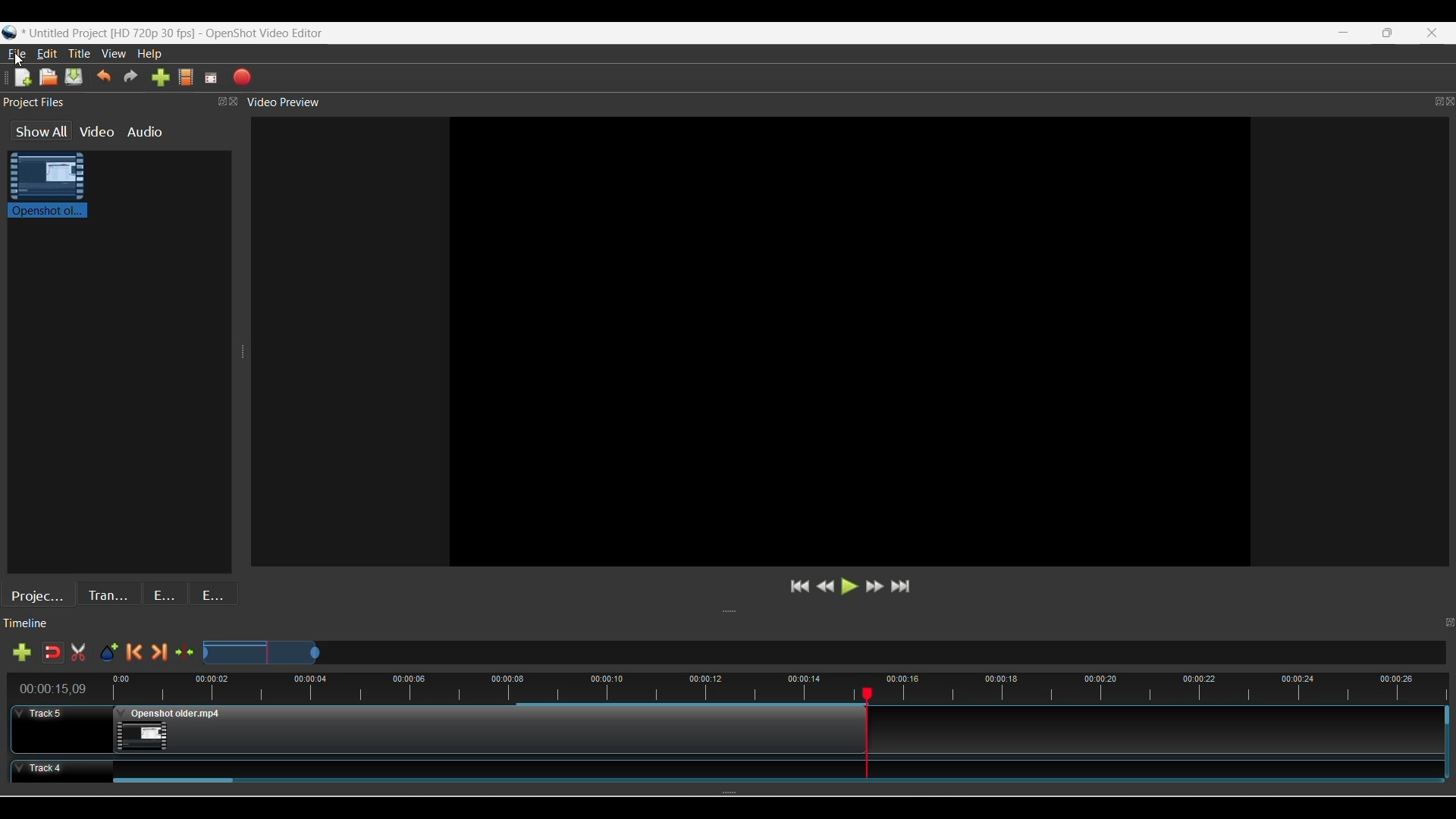 The width and height of the screenshot is (1456, 819). I want to click on Horizontal slide bar, so click(173, 781).